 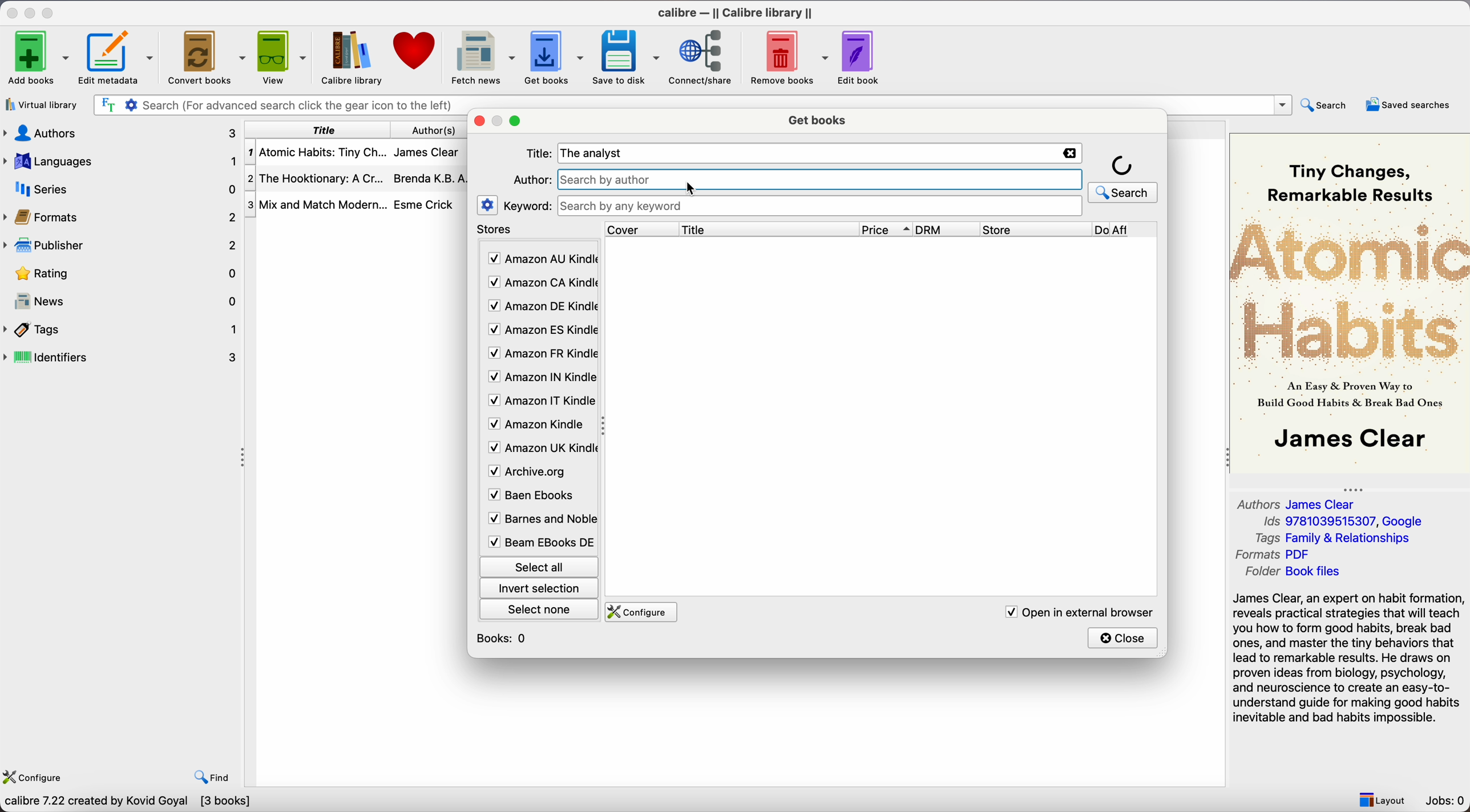 I want to click on search bar, so click(x=822, y=179).